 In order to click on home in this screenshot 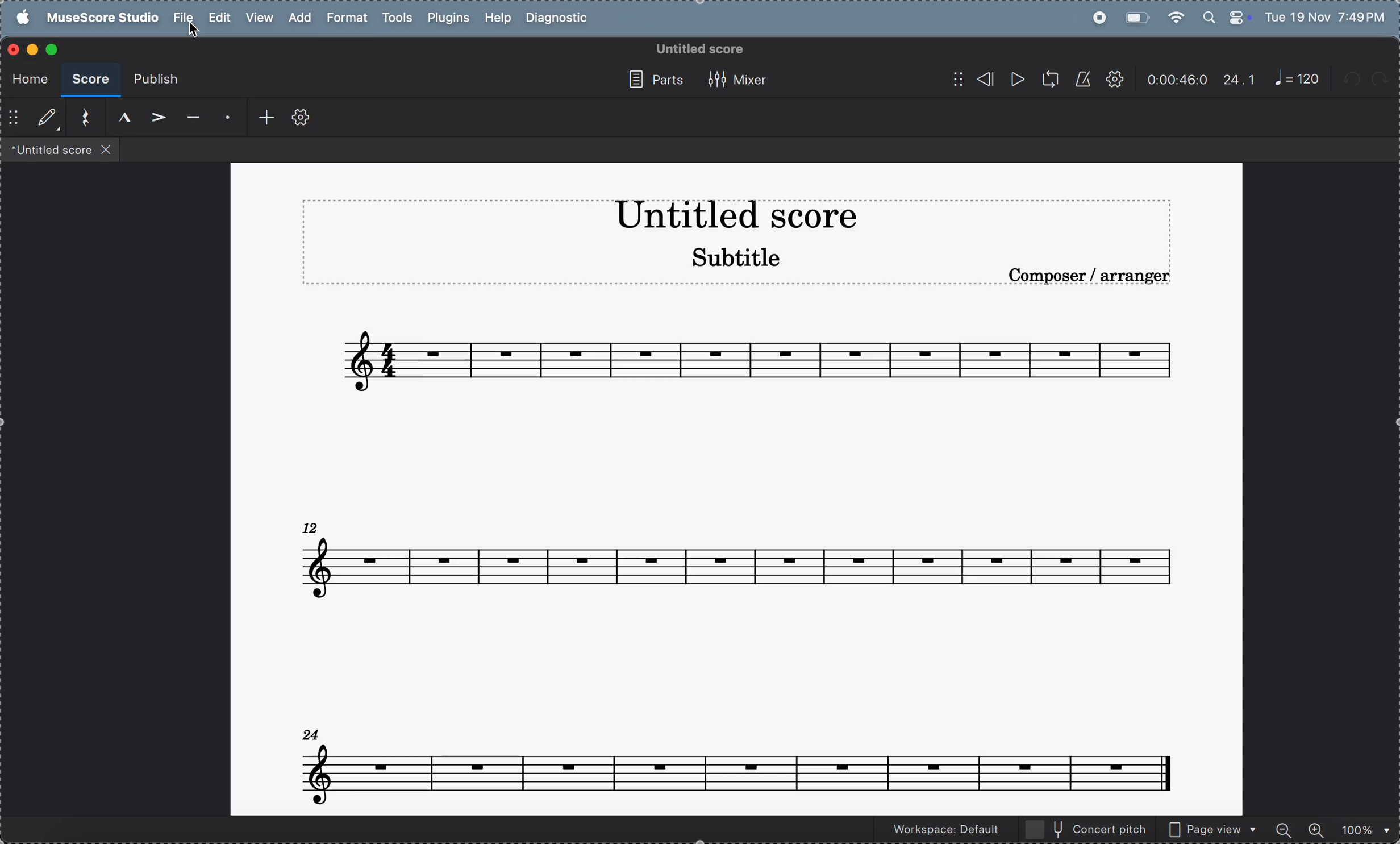, I will do `click(27, 77)`.